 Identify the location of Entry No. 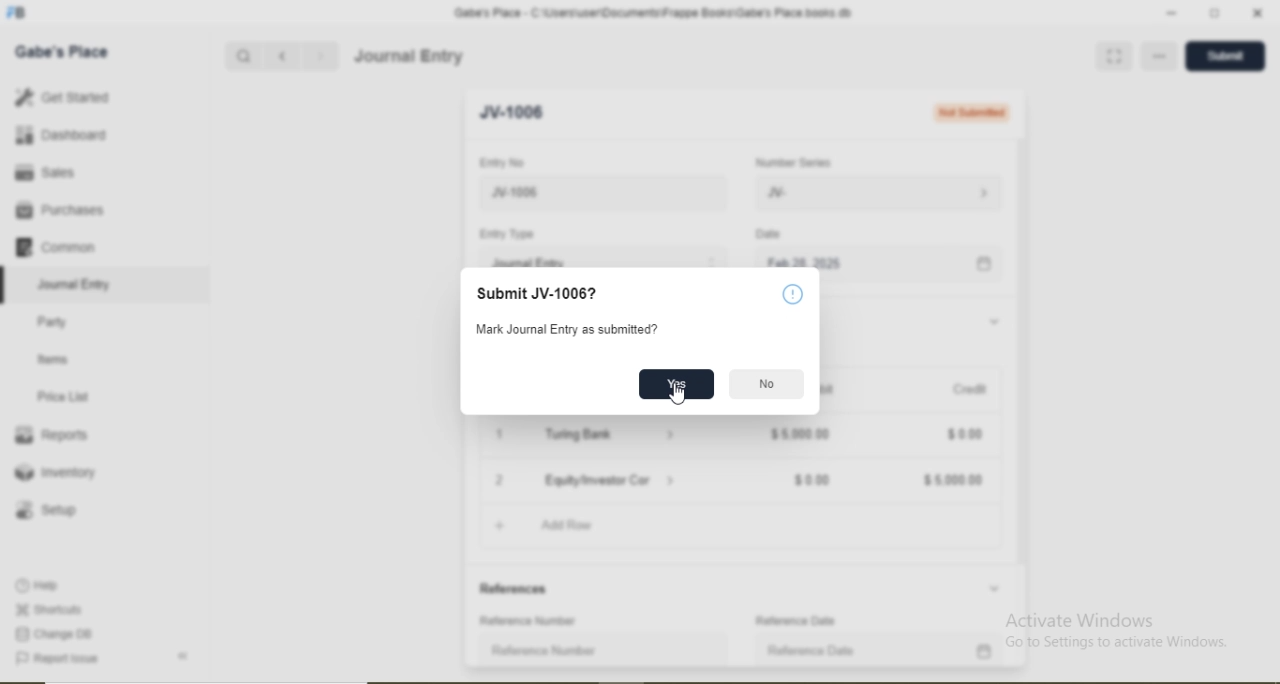
(501, 162).